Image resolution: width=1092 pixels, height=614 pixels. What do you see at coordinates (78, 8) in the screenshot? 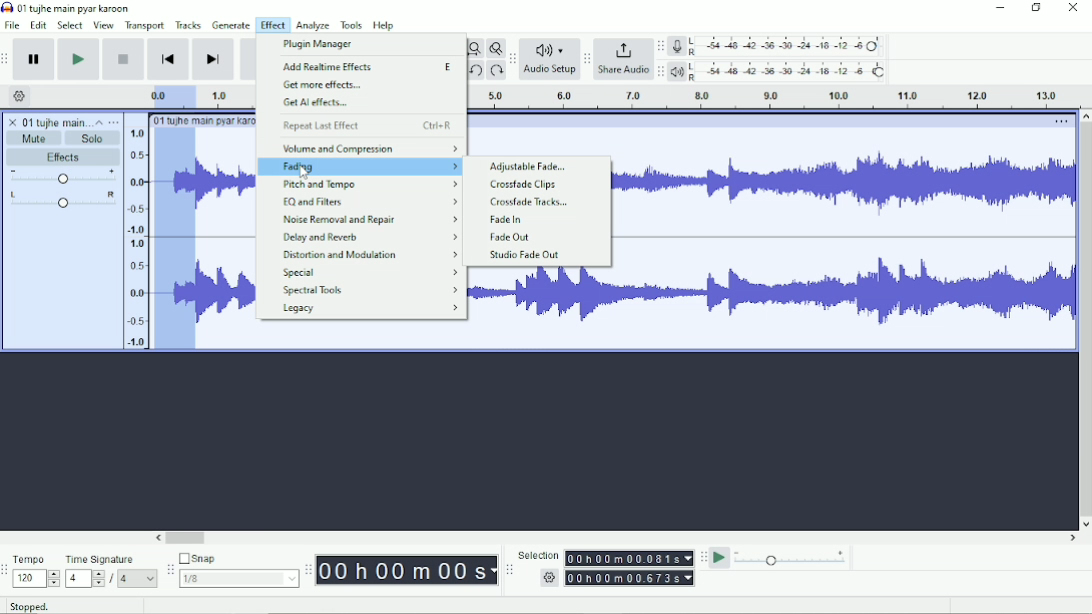
I see `01 tujhe main pyar karoon` at bounding box center [78, 8].